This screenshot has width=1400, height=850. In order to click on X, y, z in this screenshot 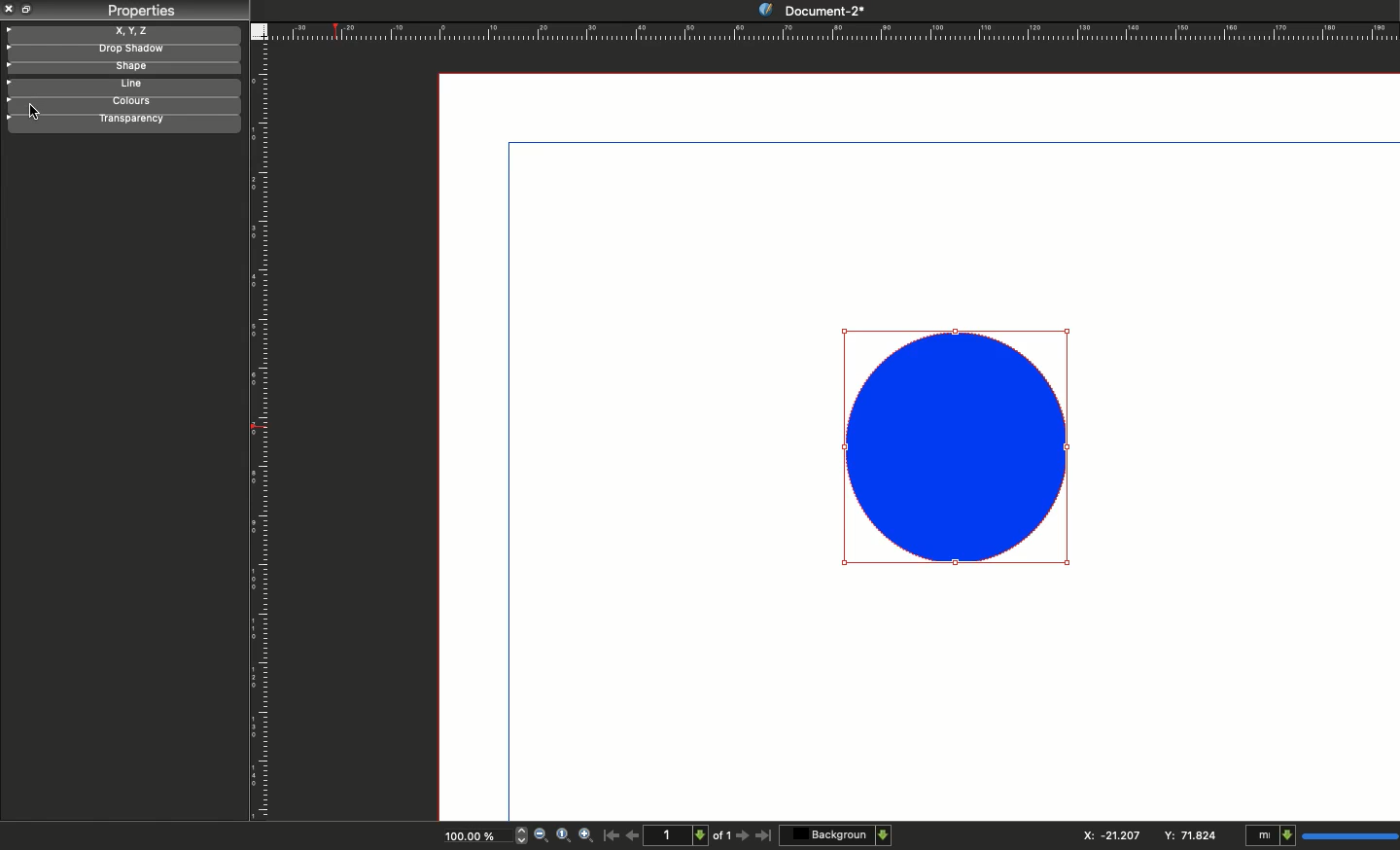, I will do `click(123, 31)`.